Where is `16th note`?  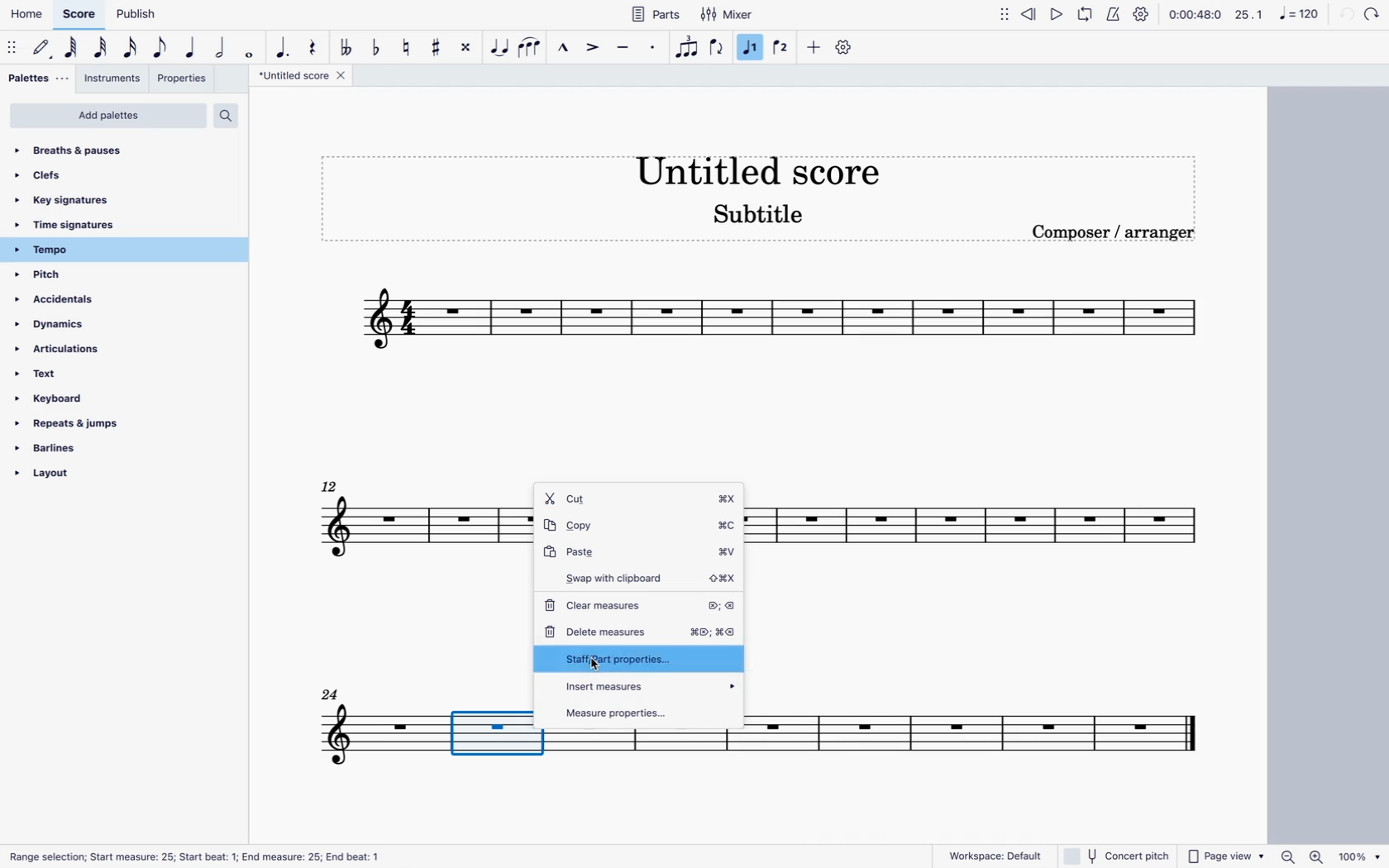 16th note is located at coordinates (131, 48).